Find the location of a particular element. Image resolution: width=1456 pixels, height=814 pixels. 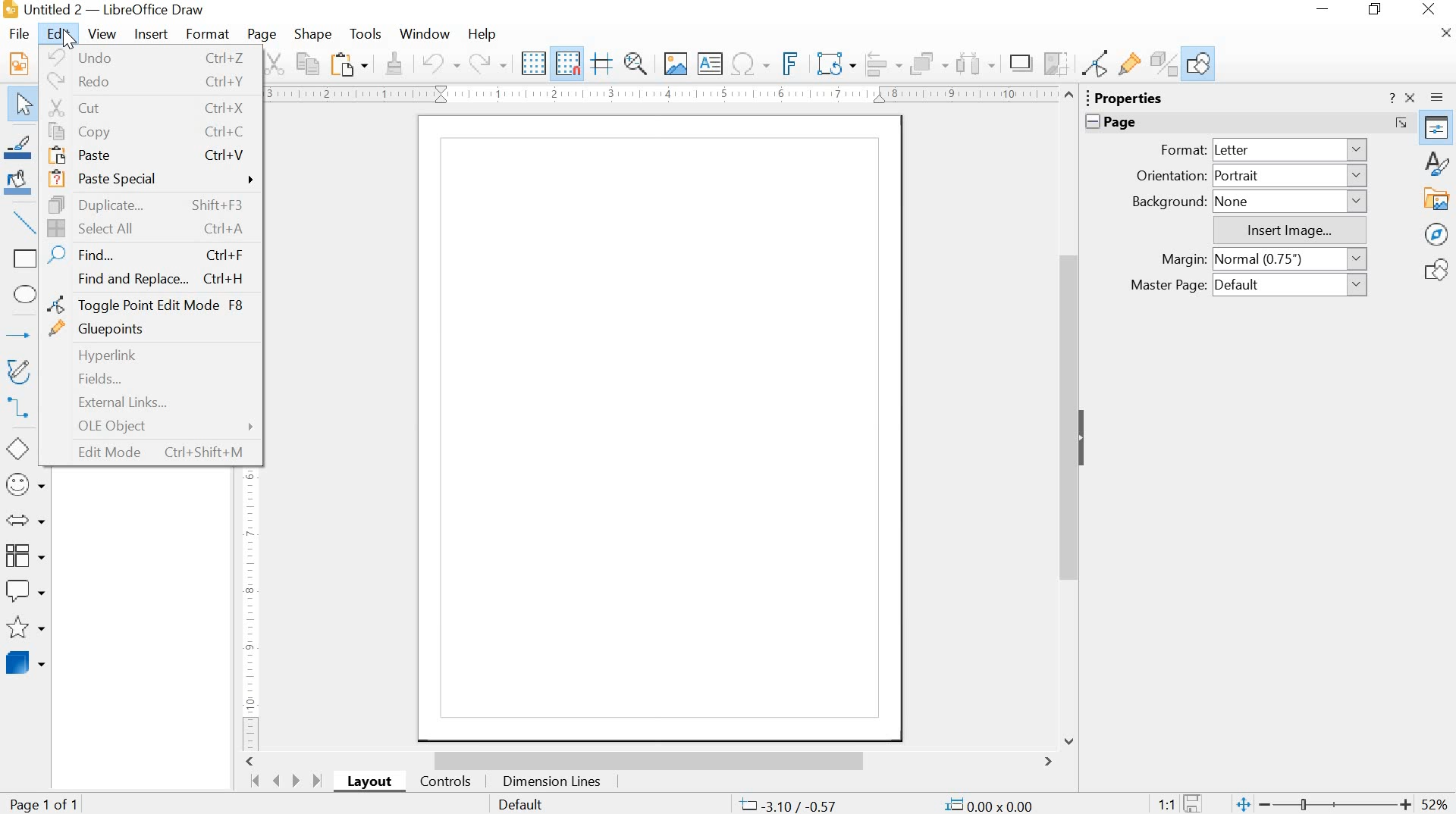

Page is located at coordinates (1109, 122).